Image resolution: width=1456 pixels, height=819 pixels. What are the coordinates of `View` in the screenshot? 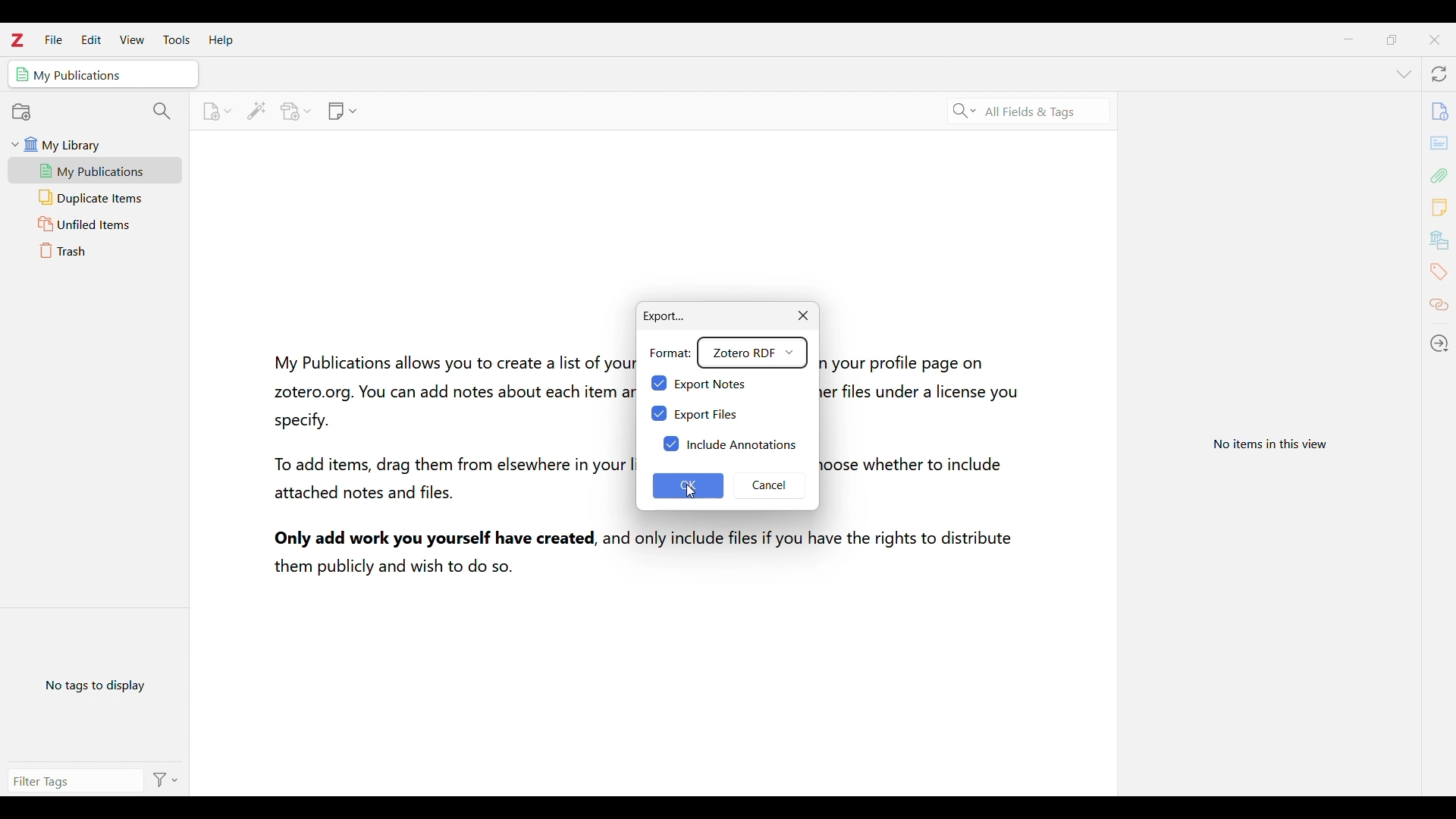 It's located at (132, 39).